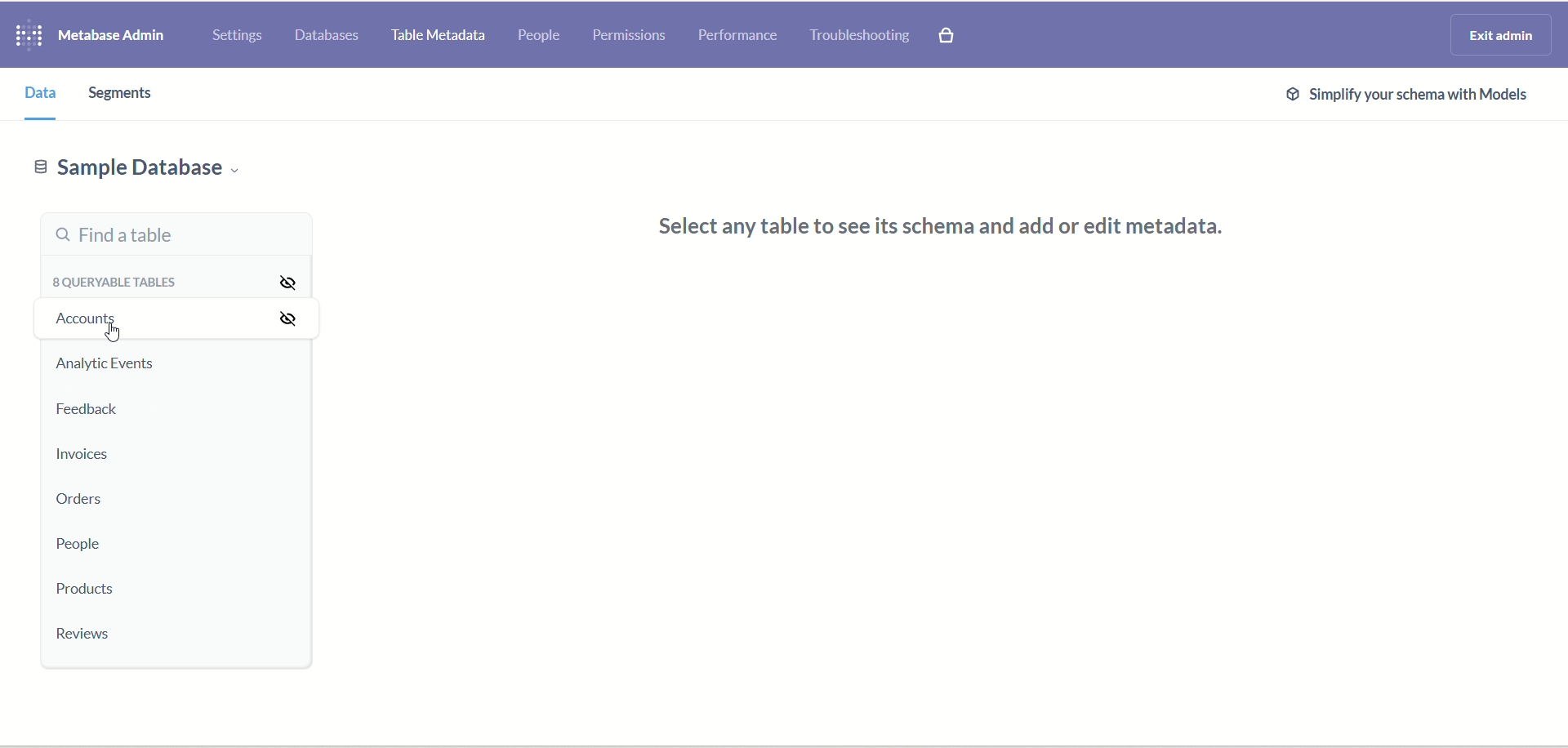 The image size is (1568, 748). I want to click on products, so click(91, 591).